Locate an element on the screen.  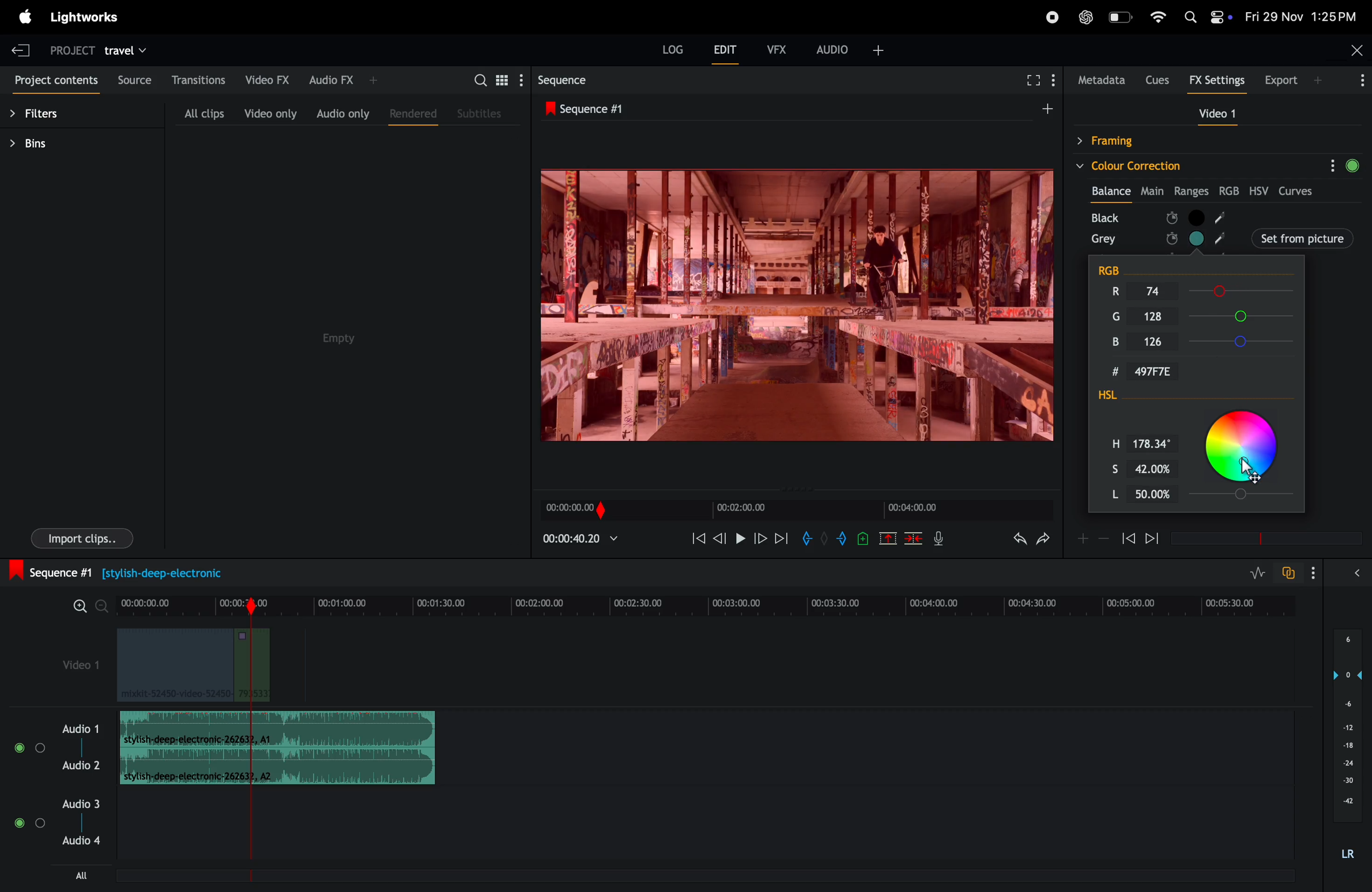
hsv is located at coordinates (1261, 191).